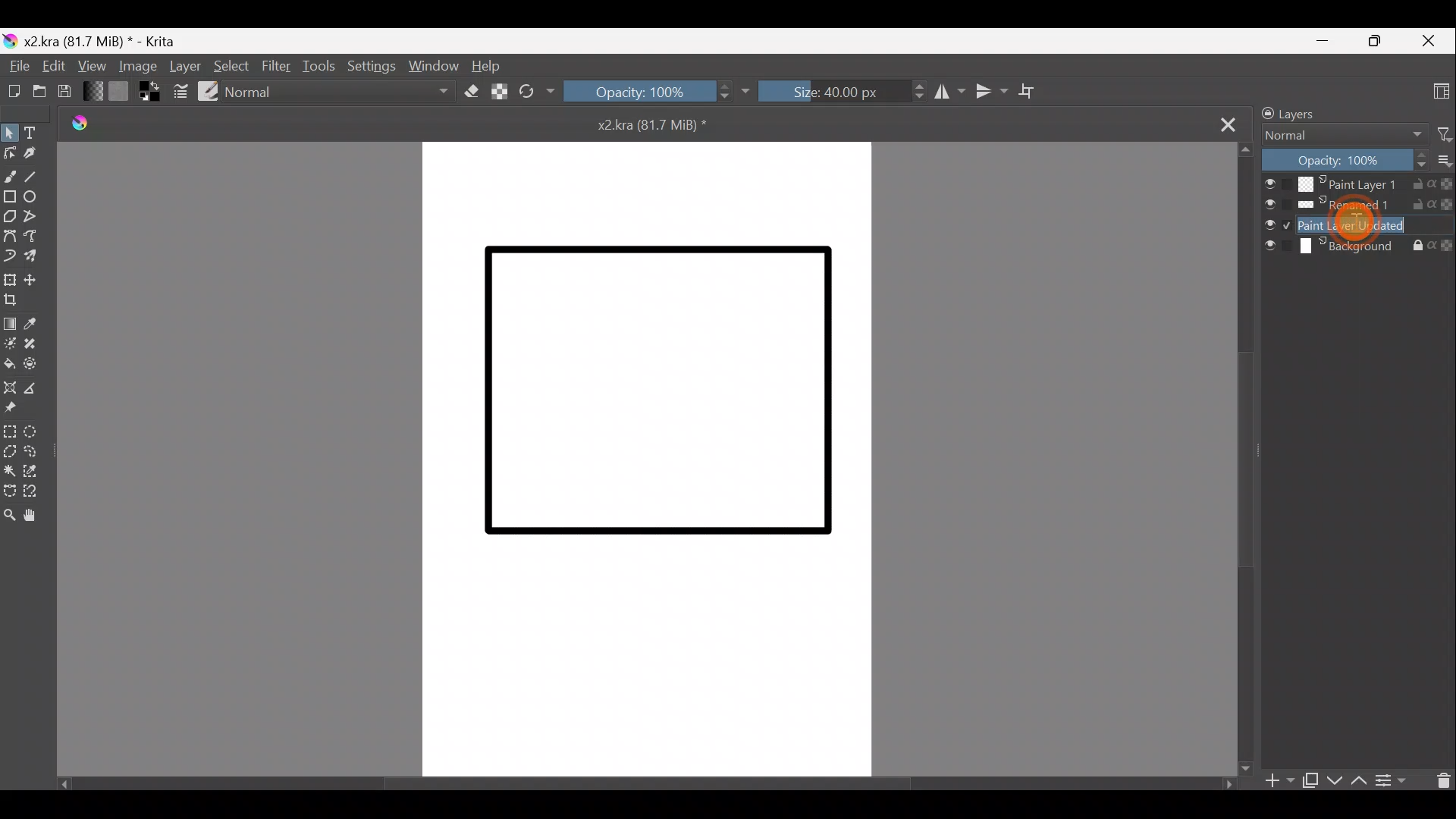 This screenshot has width=1456, height=819. I want to click on Close tab, so click(1226, 122).